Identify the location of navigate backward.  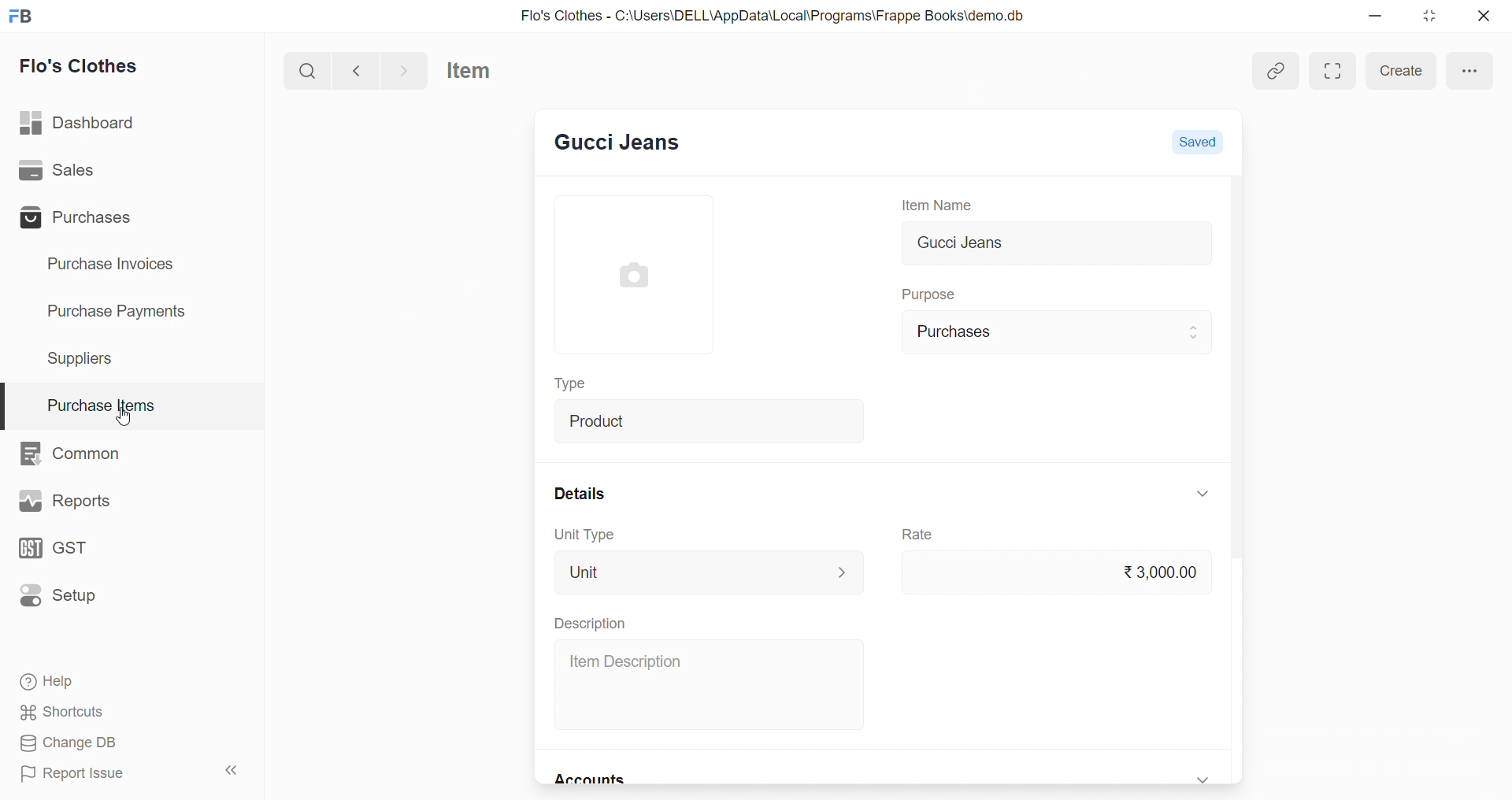
(356, 69).